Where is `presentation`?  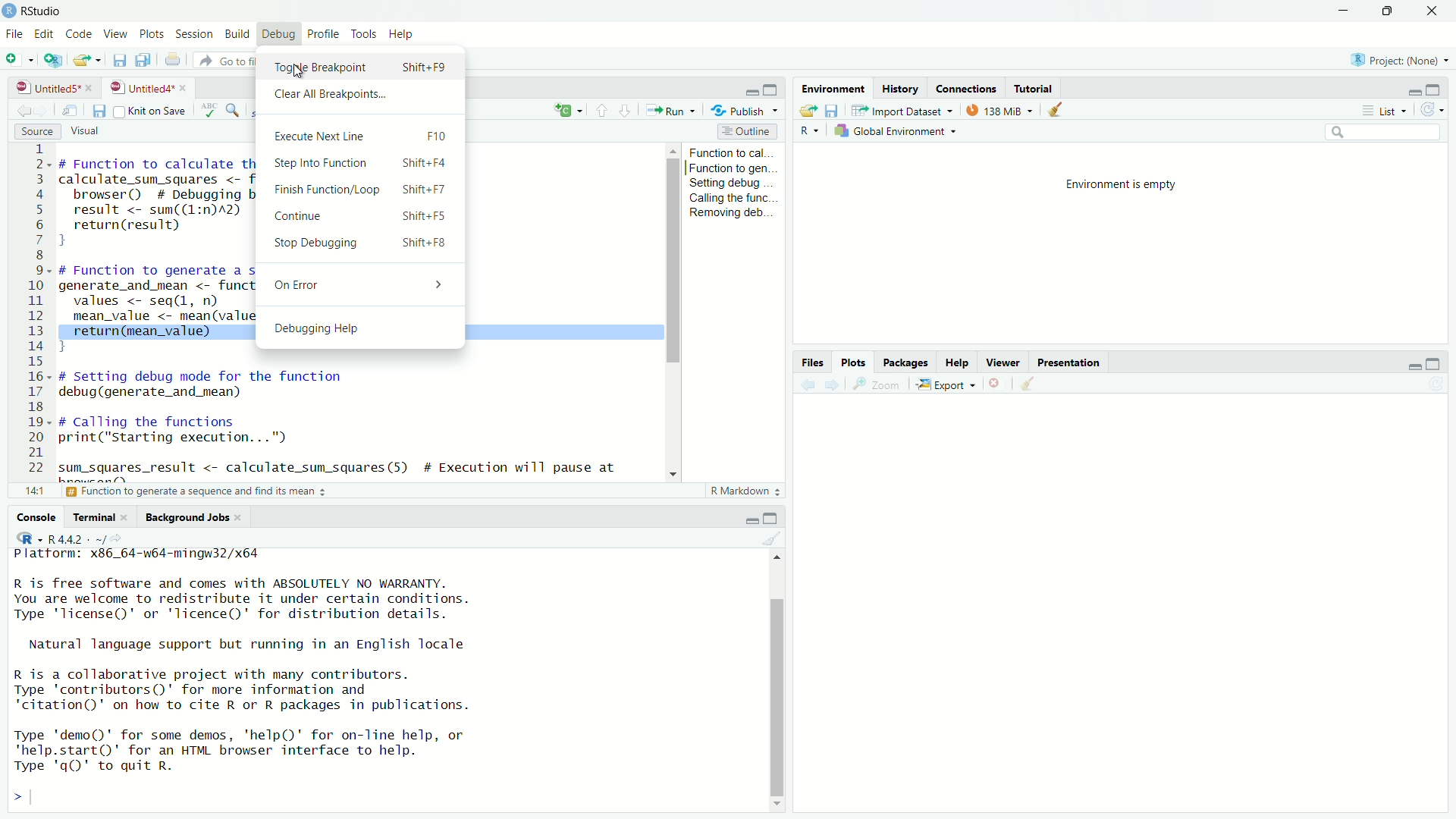 presentation is located at coordinates (1072, 359).